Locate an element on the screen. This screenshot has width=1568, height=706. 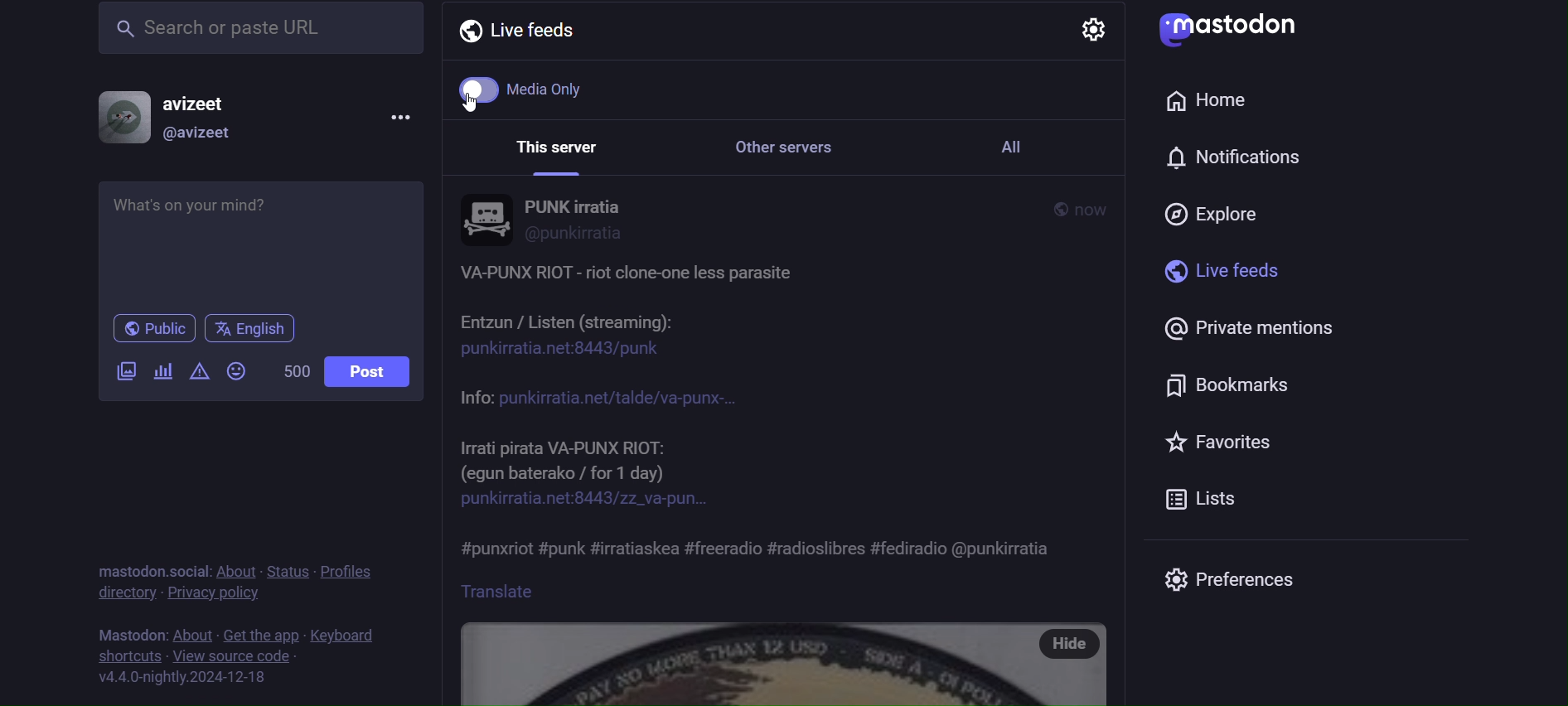
shortcuts is located at coordinates (123, 658).